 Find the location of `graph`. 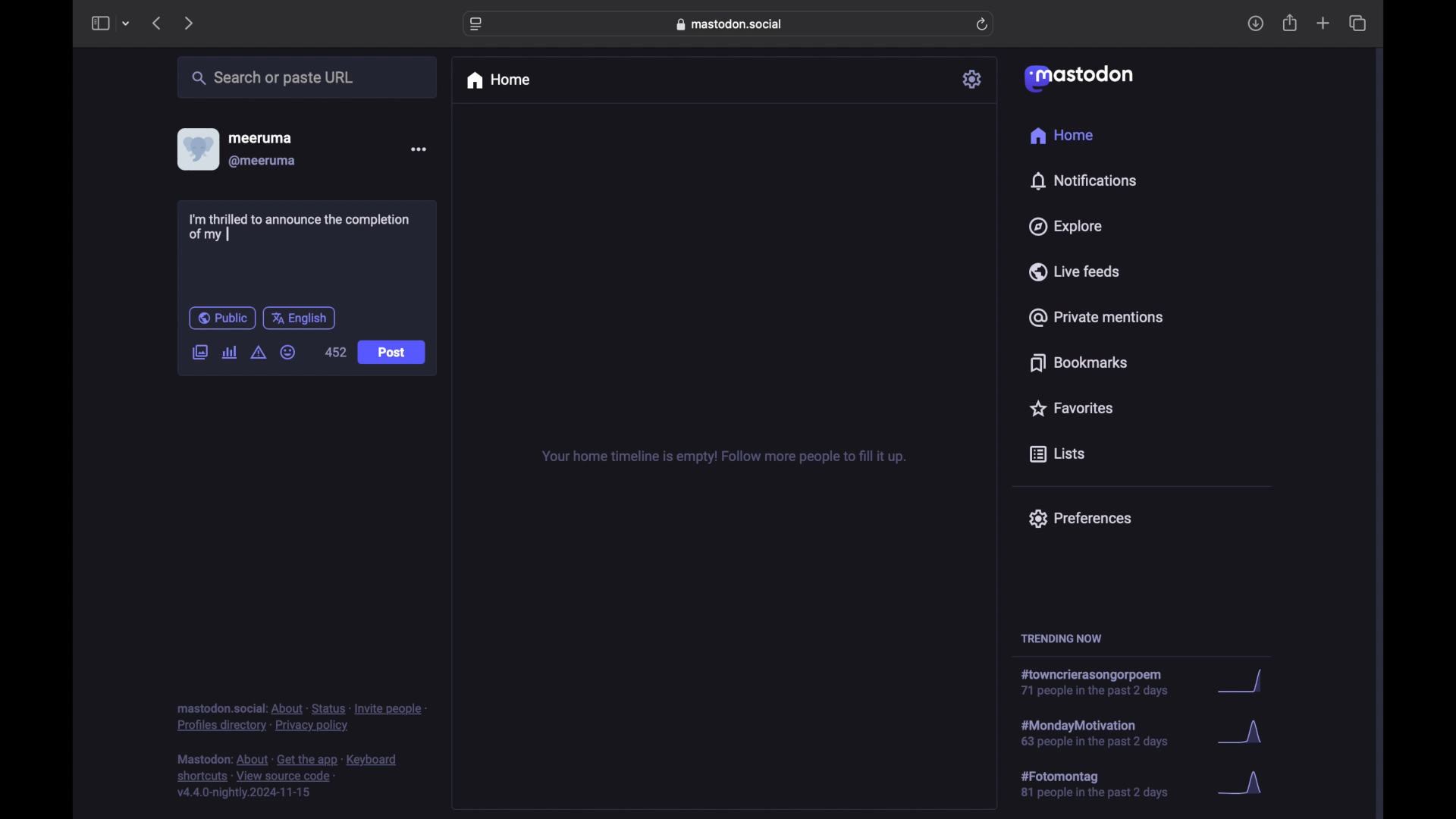

graph is located at coordinates (1244, 734).